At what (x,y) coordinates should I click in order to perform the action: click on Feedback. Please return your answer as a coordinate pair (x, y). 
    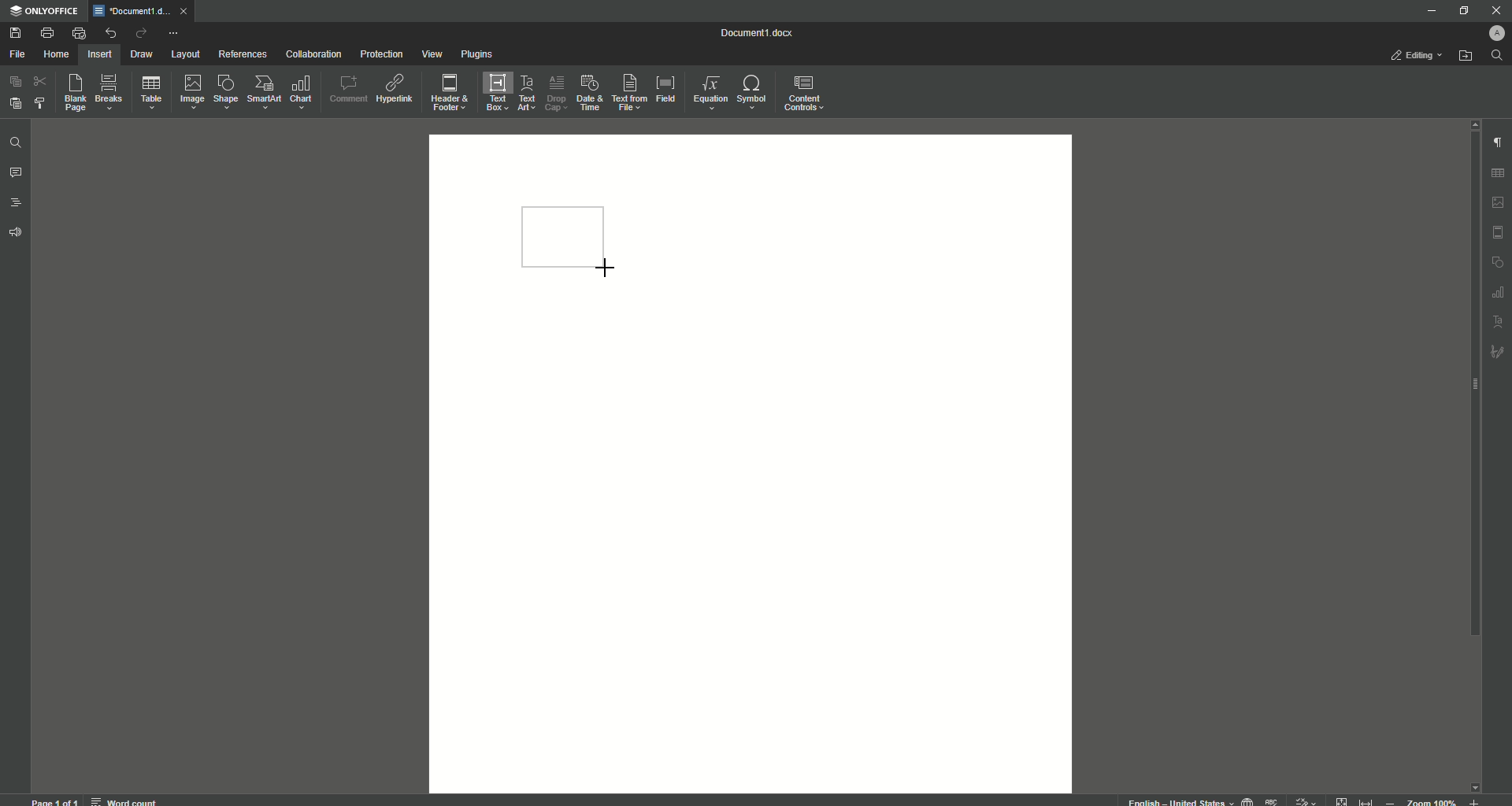
    Looking at the image, I should click on (17, 233).